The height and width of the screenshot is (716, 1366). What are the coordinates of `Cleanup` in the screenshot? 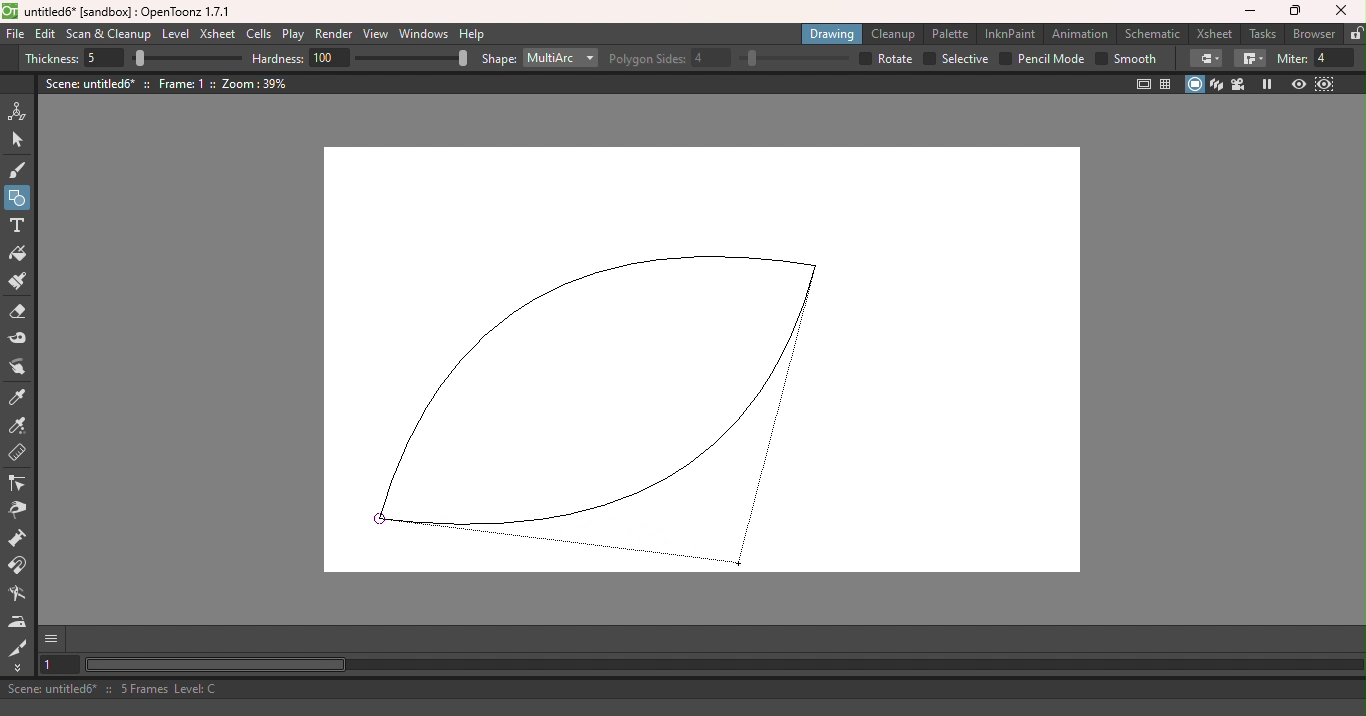 It's located at (892, 35).